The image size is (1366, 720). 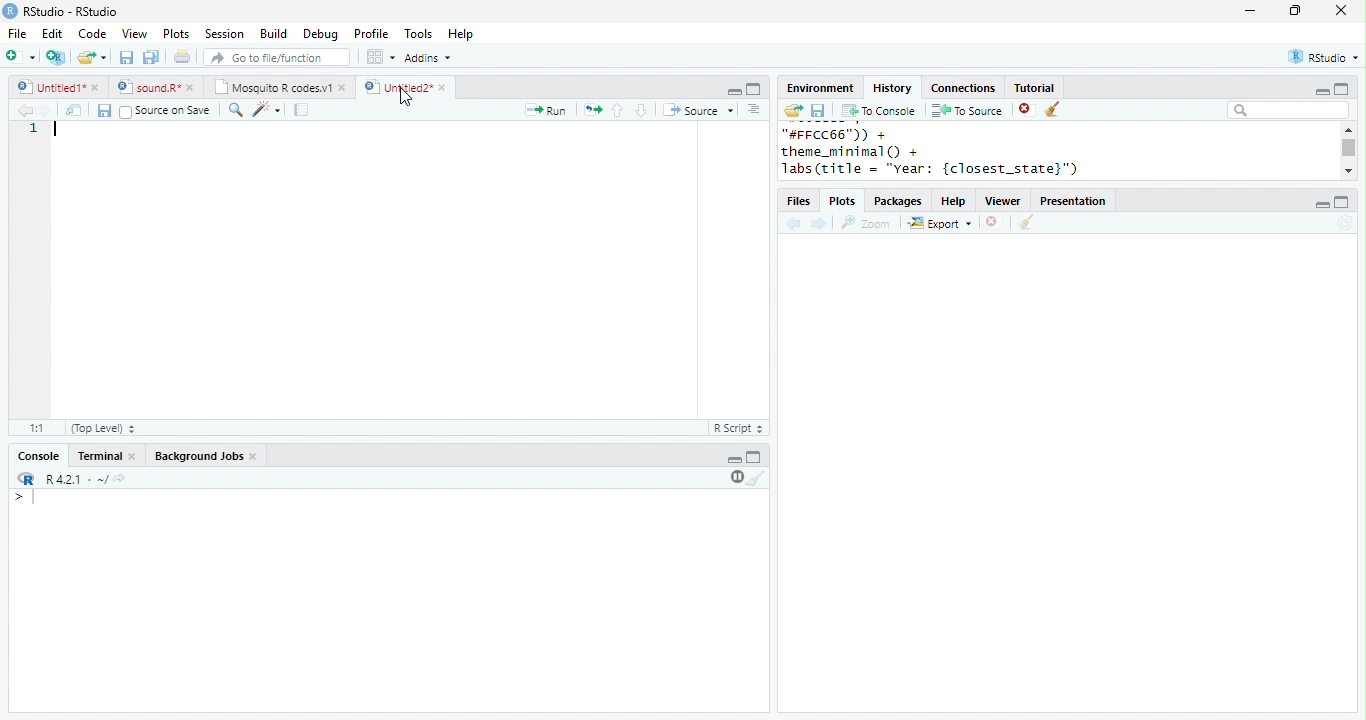 What do you see at coordinates (47, 86) in the screenshot?
I see `Untitled1` at bounding box center [47, 86].